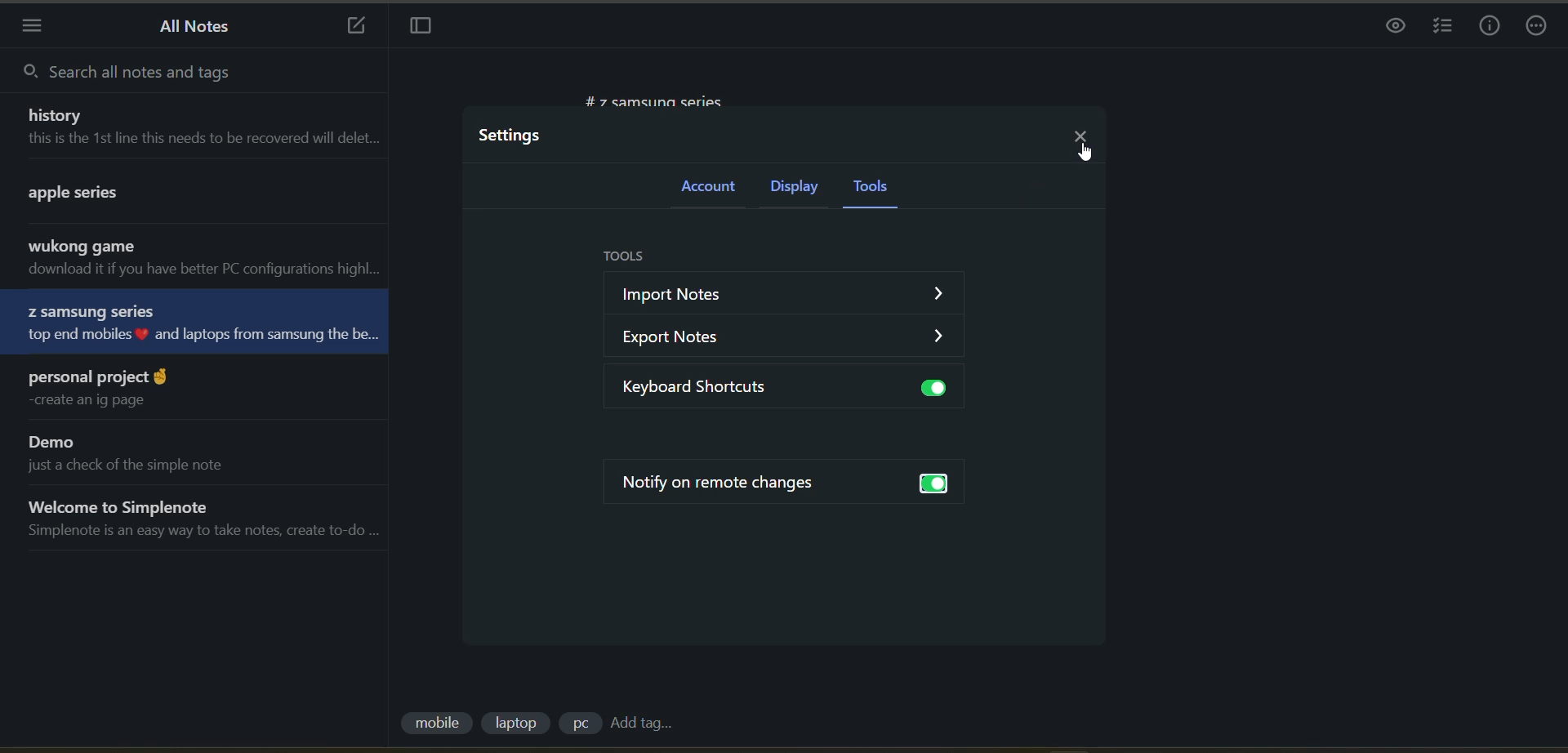 Image resolution: width=1568 pixels, height=753 pixels. I want to click on display, so click(792, 189).